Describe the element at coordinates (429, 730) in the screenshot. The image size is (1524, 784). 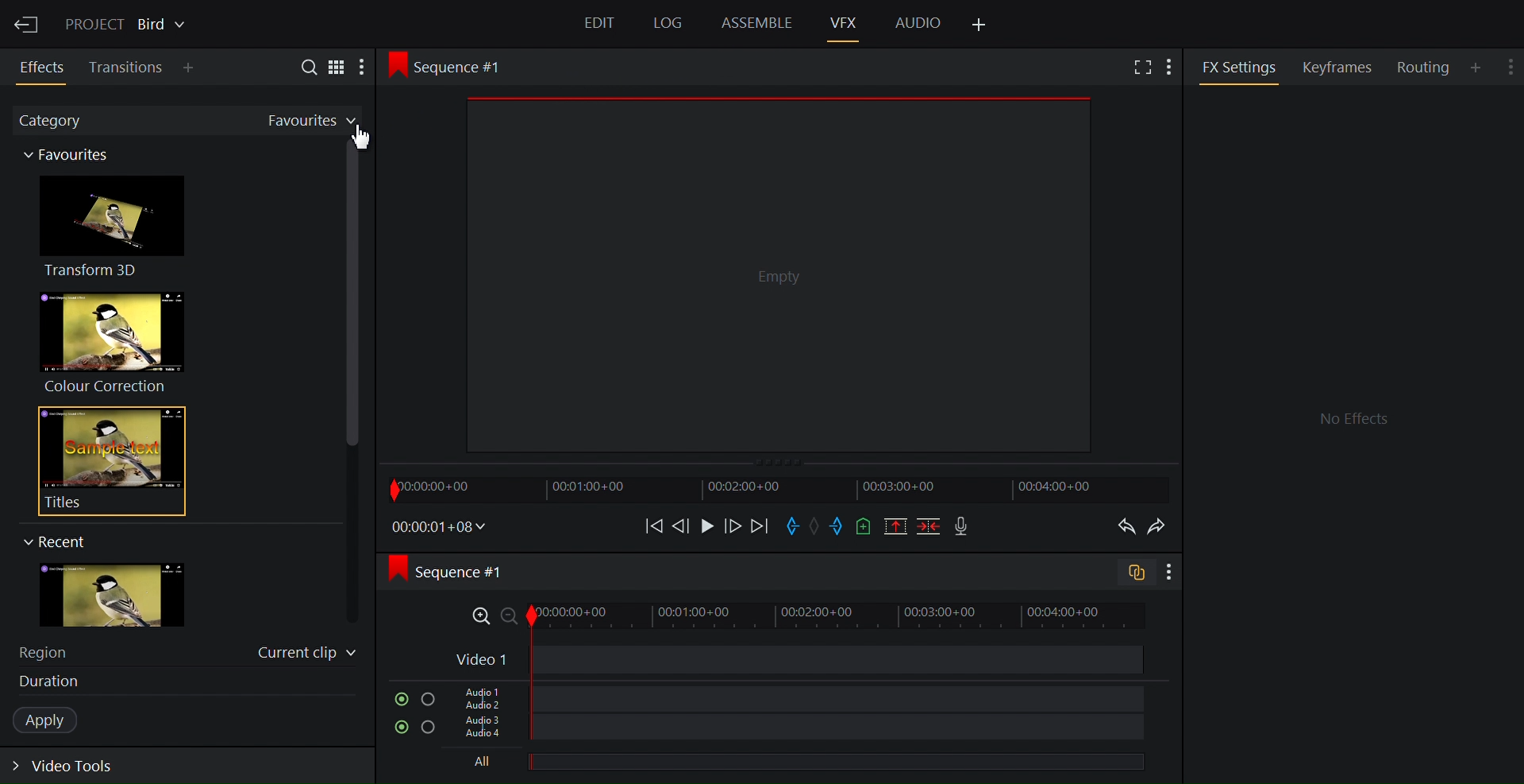
I see `Solo this track` at that location.